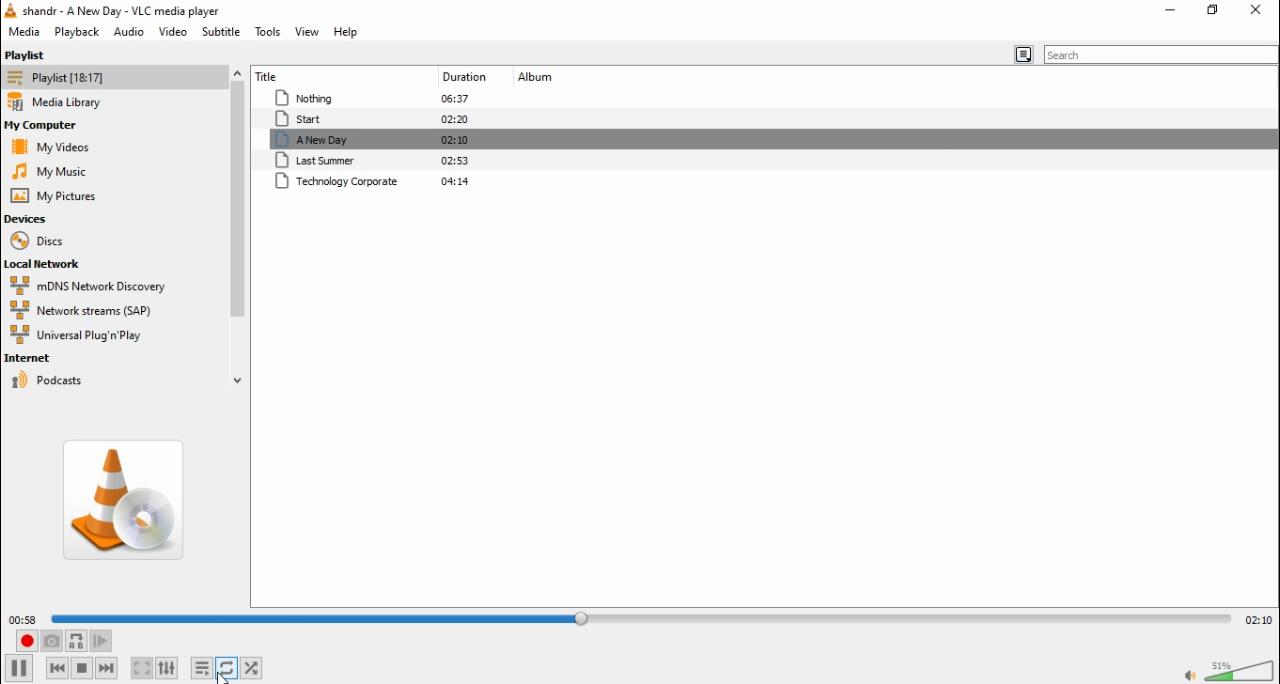 The height and width of the screenshot is (684, 1280). Describe the element at coordinates (46, 265) in the screenshot. I see `local network` at that location.